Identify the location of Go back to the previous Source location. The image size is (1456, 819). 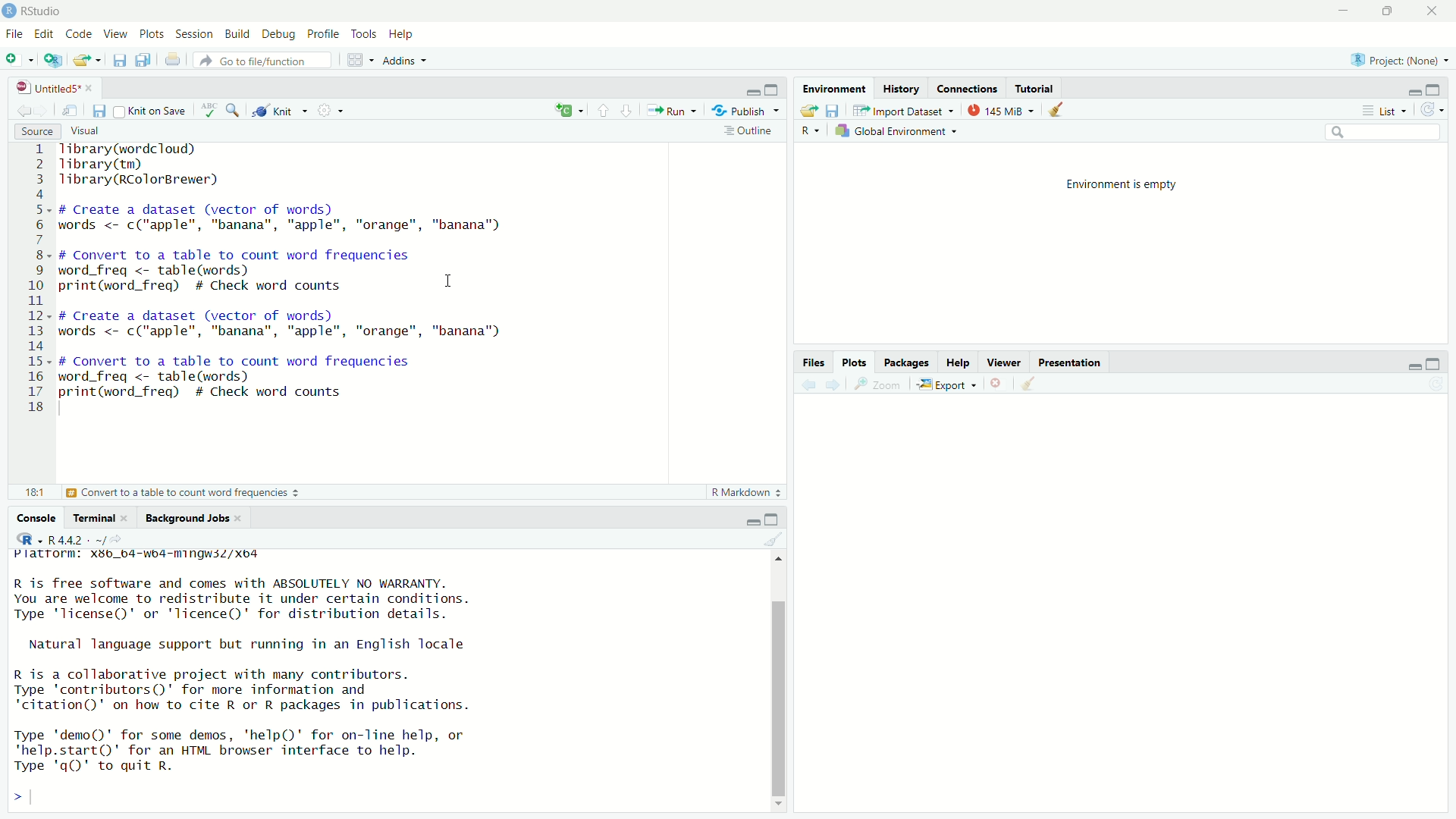
(23, 111).